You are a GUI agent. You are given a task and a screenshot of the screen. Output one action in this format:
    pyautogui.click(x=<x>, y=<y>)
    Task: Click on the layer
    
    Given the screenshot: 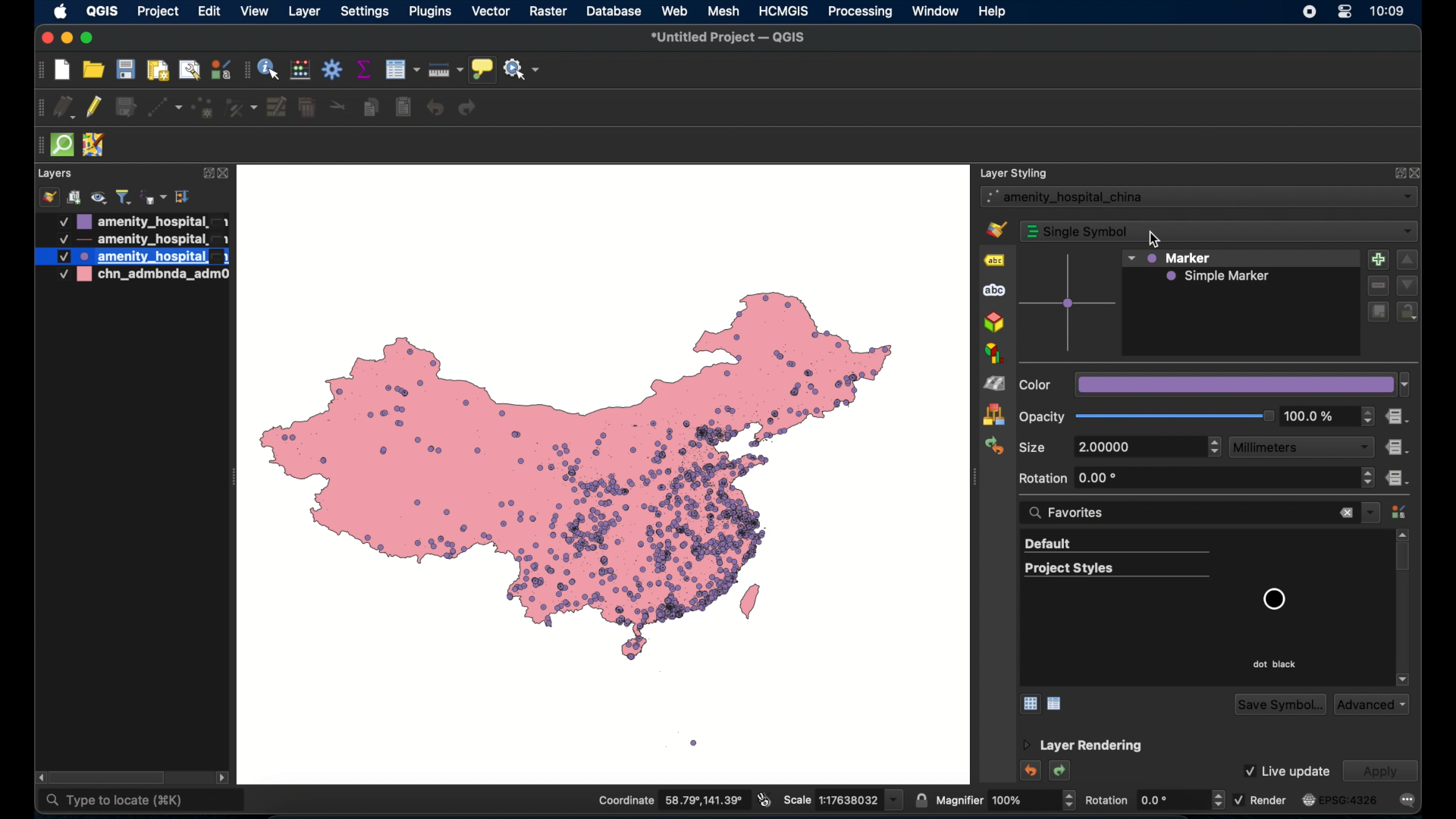 What is the action you would take?
    pyautogui.click(x=303, y=11)
    